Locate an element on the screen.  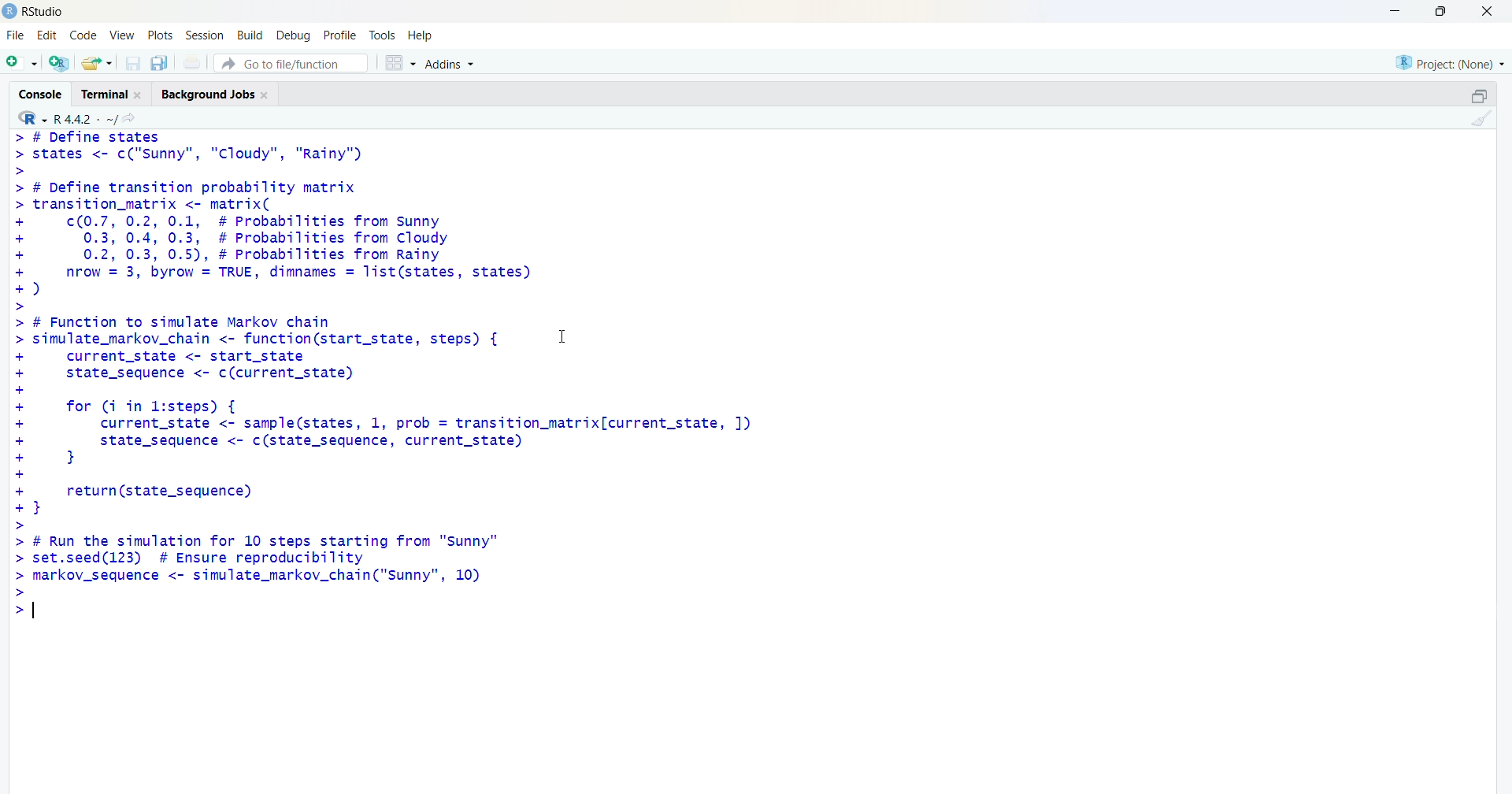
go to file/function is located at coordinates (290, 64).